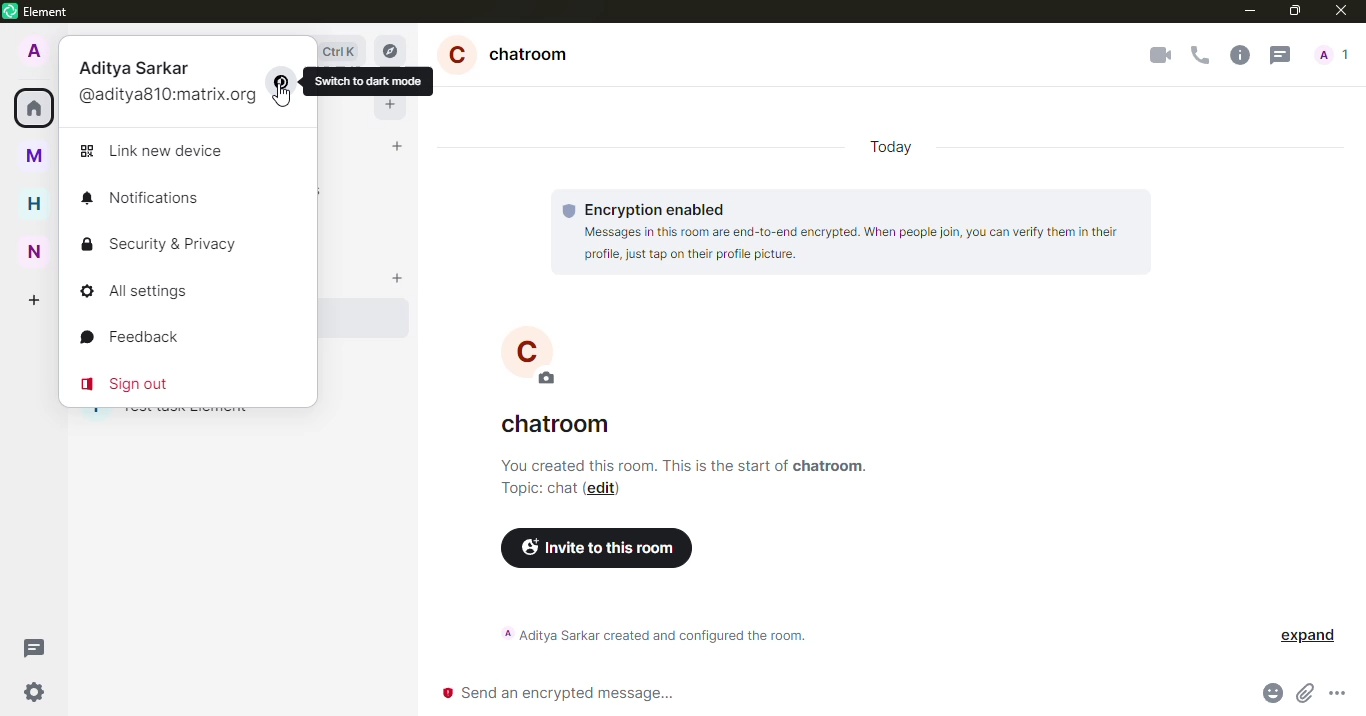 The width and height of the screenshot is (1366, 716). What do you see at coordinates (371, 79) in the screenshot?
I see `switch to dark mode` at bounding box center [371, 79].